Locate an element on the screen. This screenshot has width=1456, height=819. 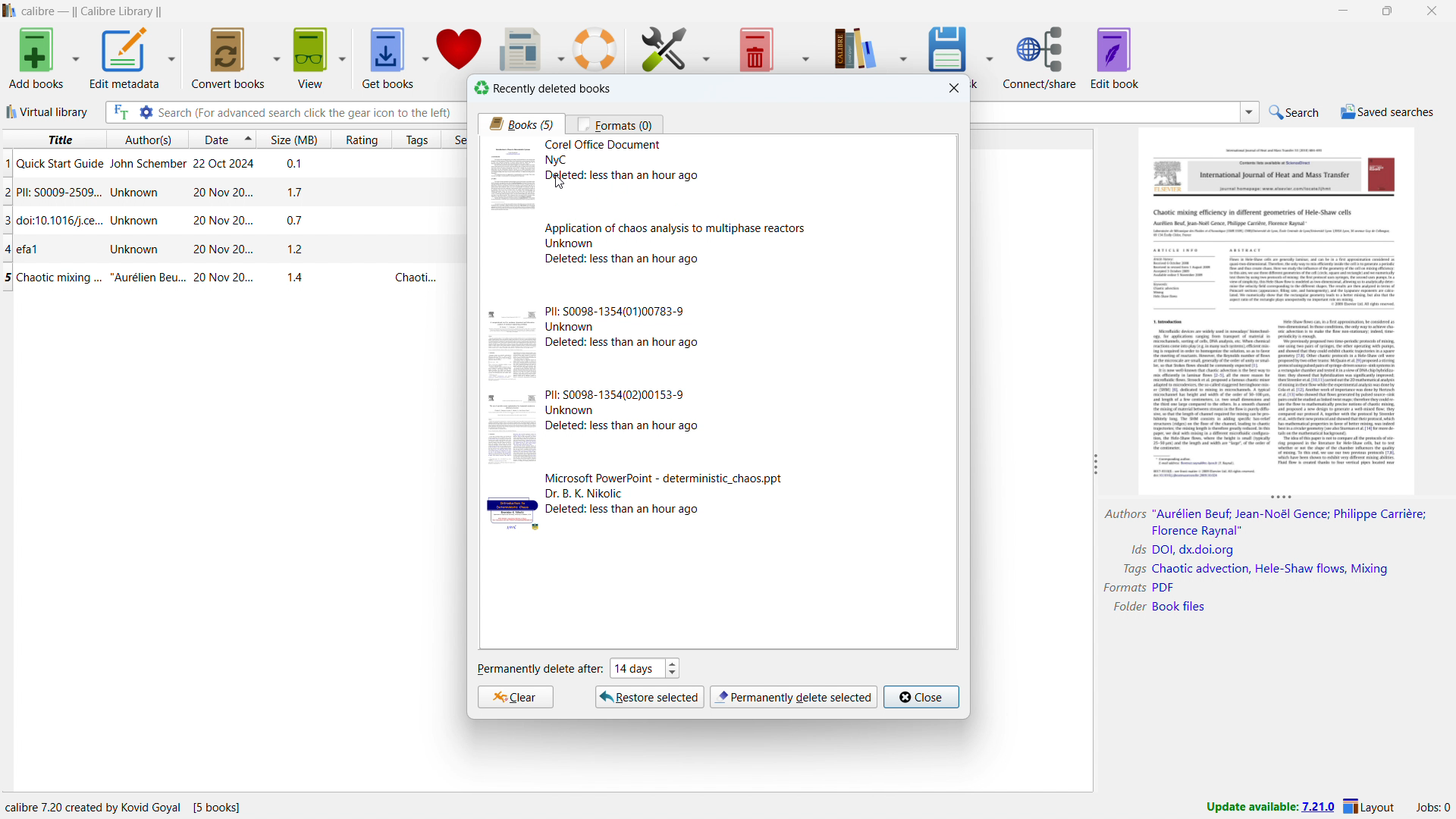
add books  is located at coordinates (36, 58).